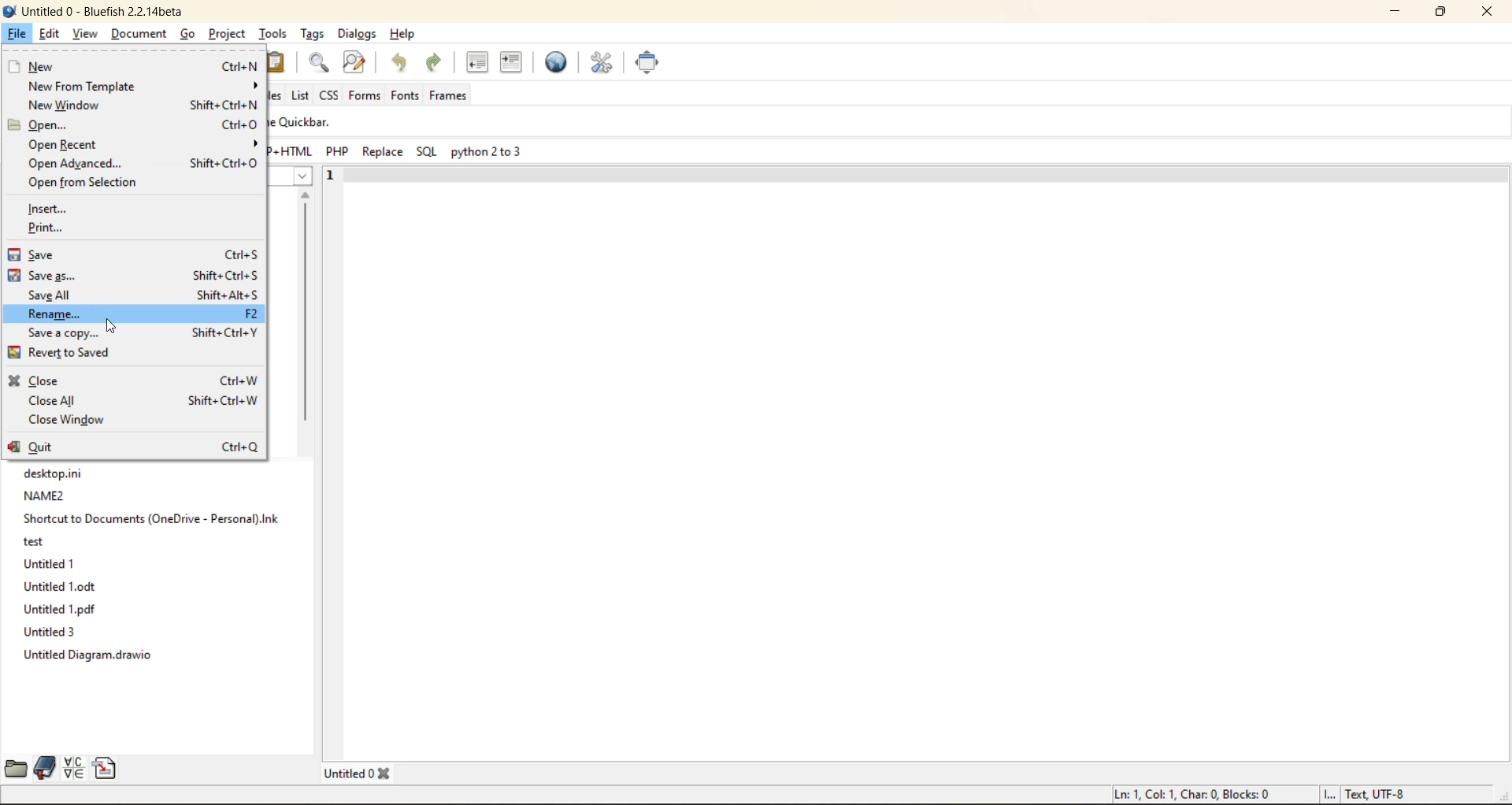  I want to click on undo, so click(402, 65).